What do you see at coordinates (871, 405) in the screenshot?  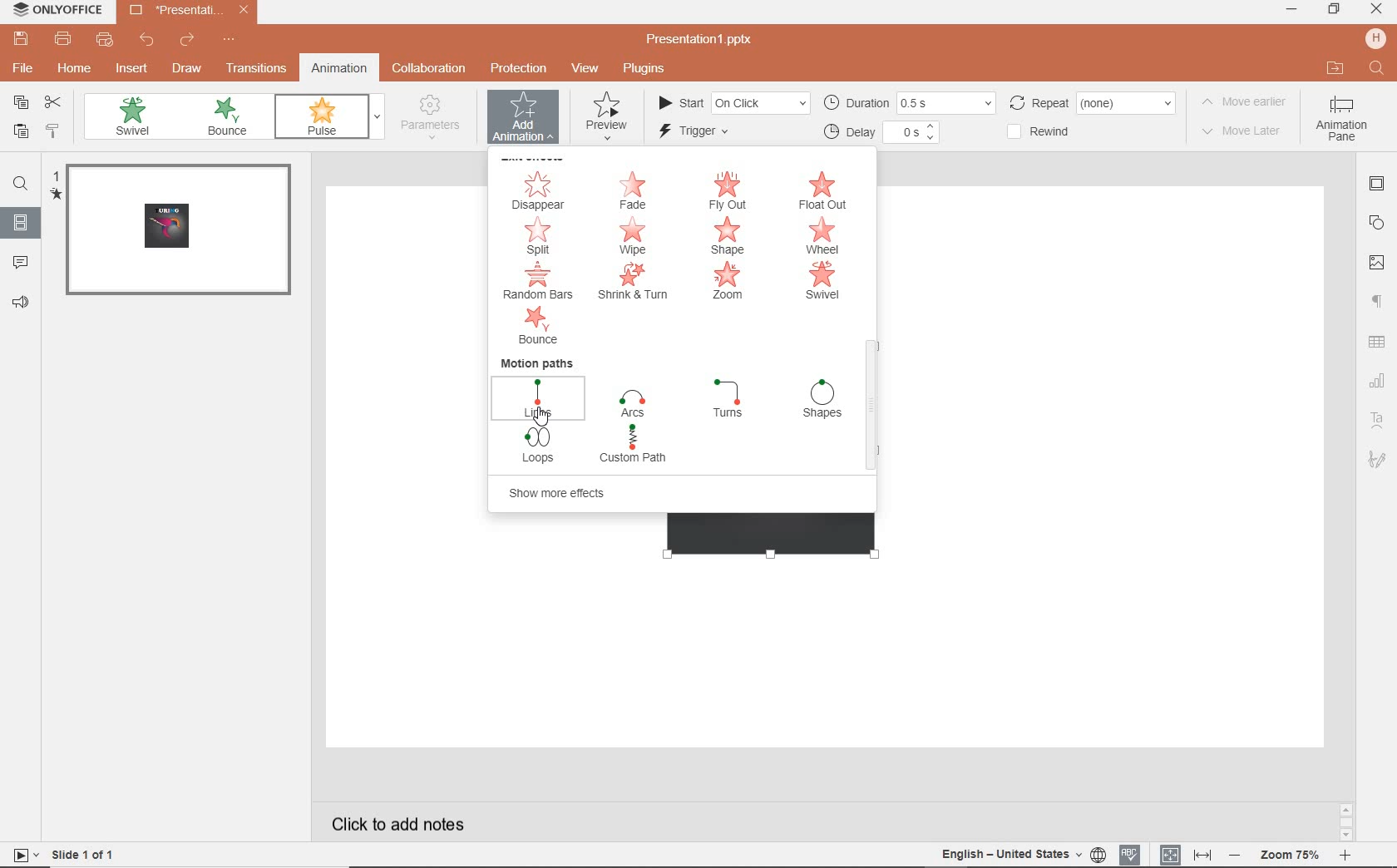 I see `scrollbar` at bounding box center [871, 405].